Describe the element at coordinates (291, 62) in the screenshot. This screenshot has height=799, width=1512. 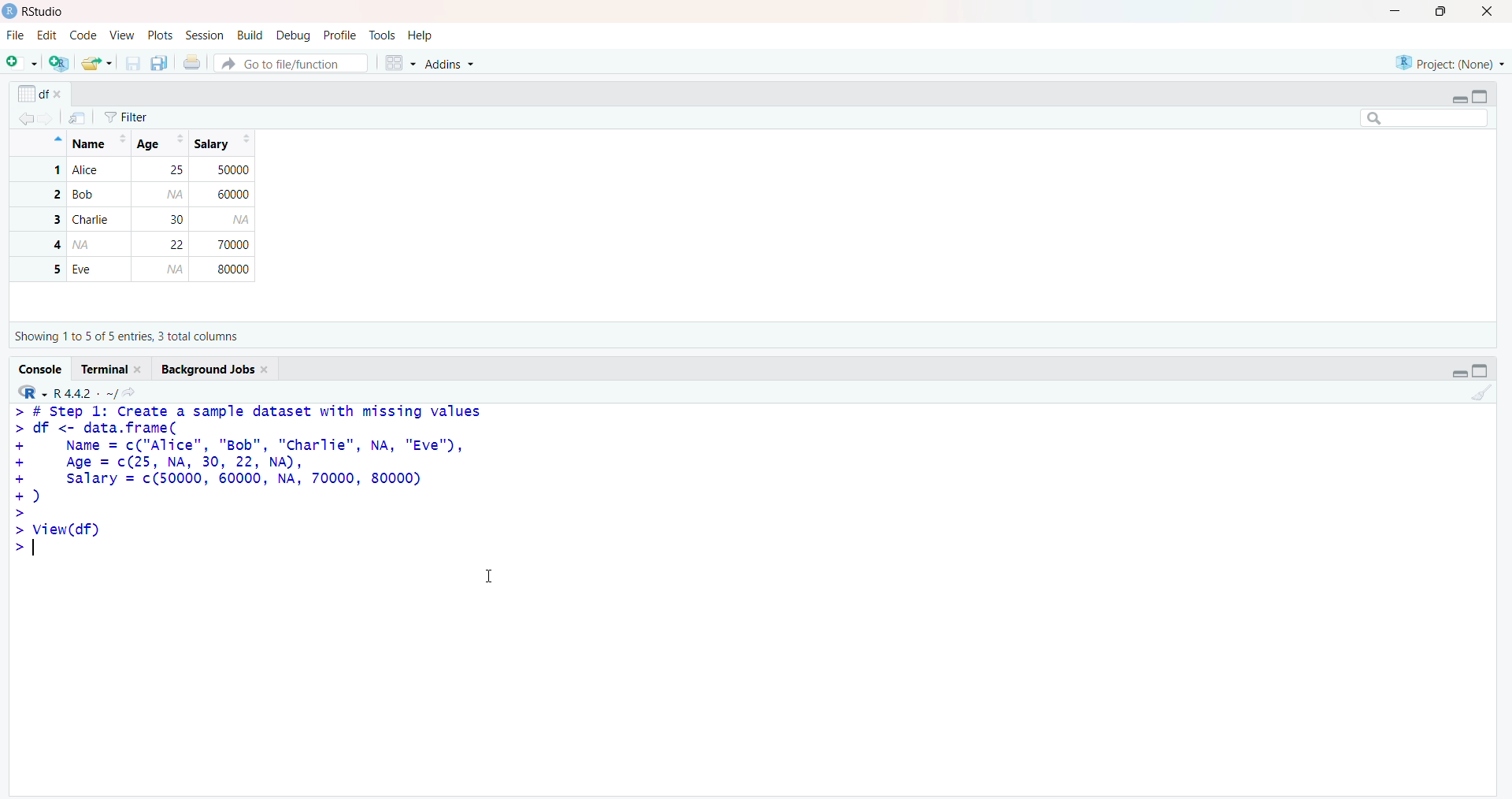
I see `Go to file/function` at that location.